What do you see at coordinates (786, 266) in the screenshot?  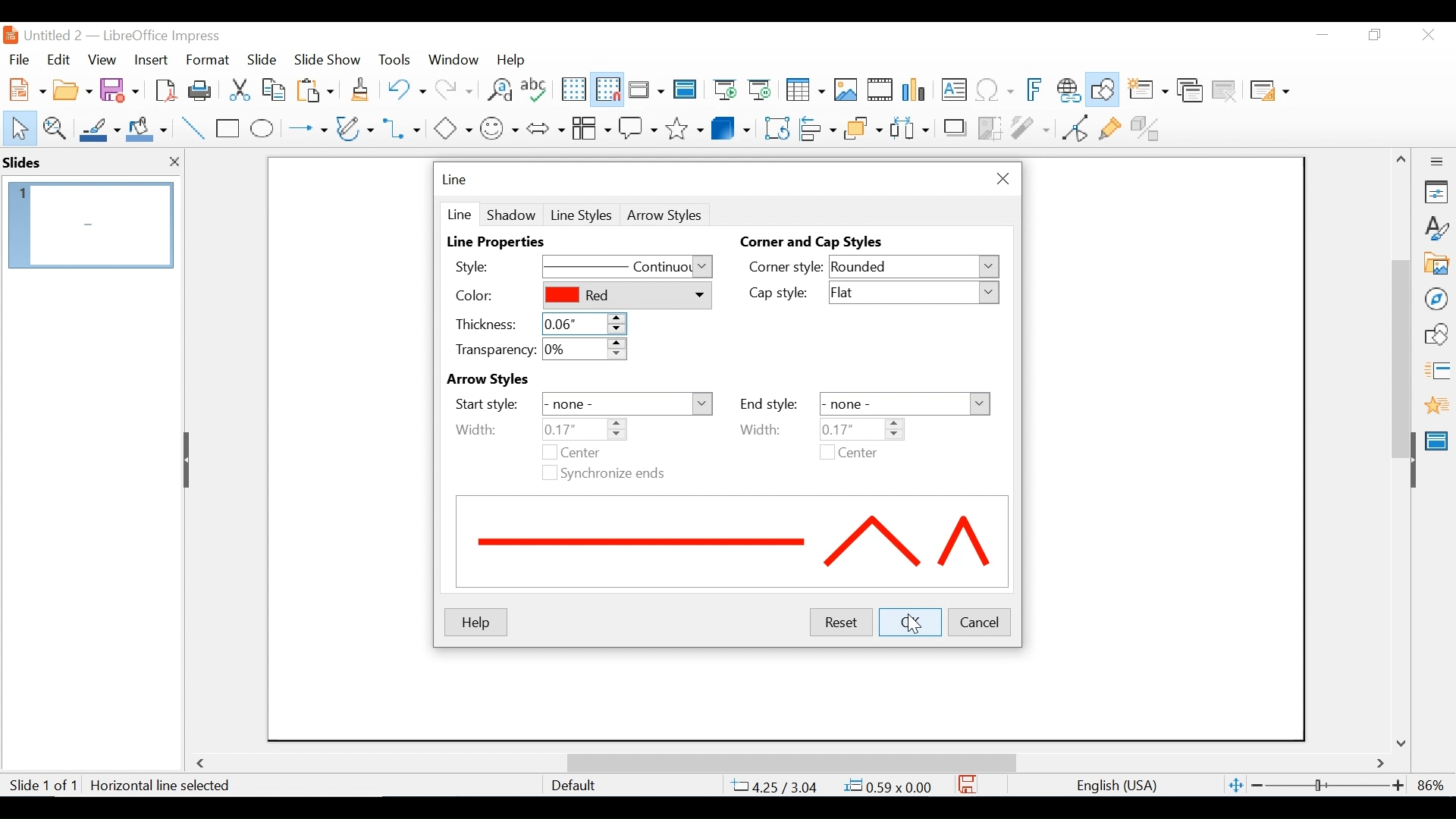 I see `Corner style` at bounding box center [786, 266].